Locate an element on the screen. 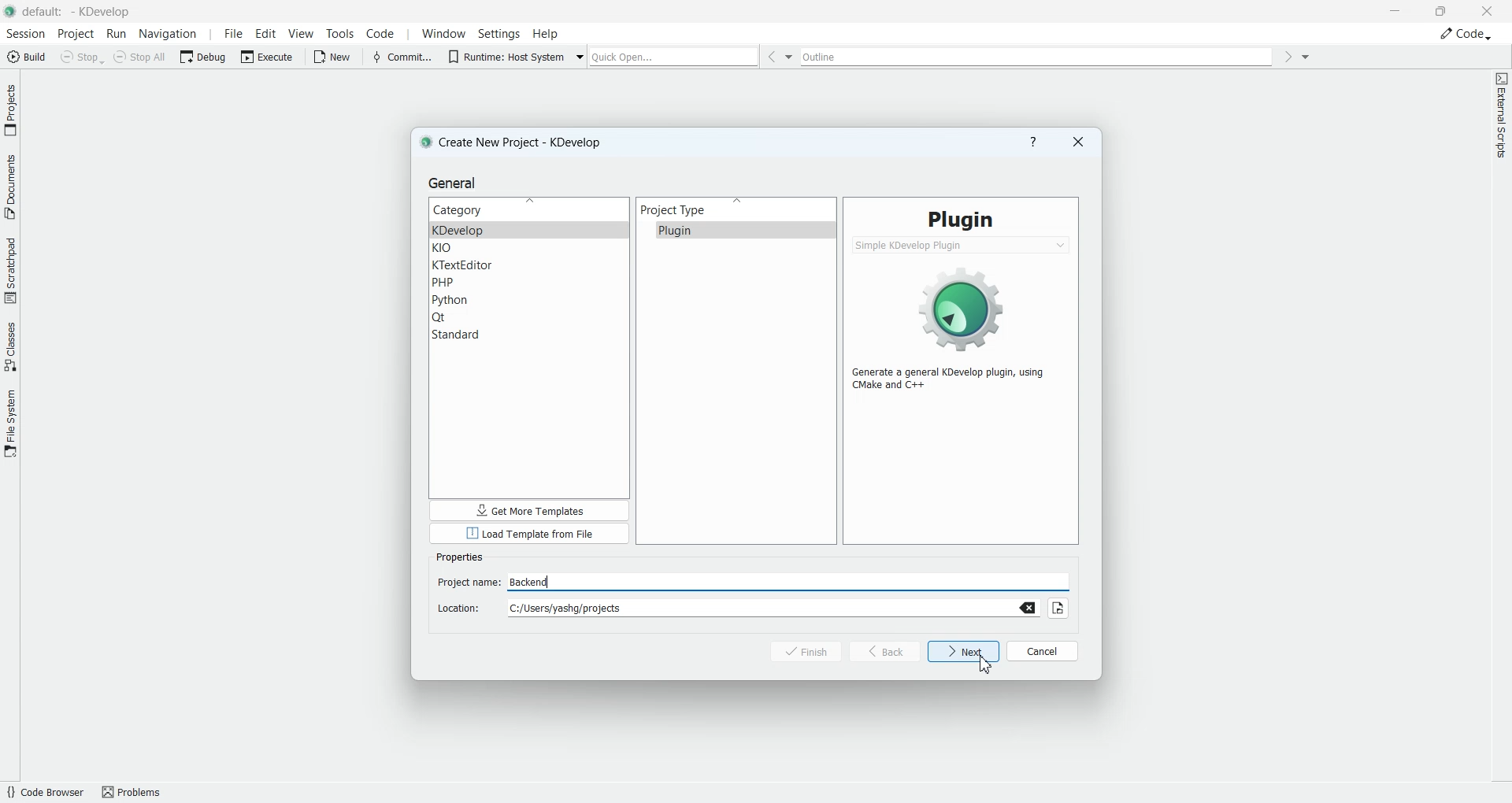 This screenshot has height=803, width=1512. finish is located at coordinates (797, 652).